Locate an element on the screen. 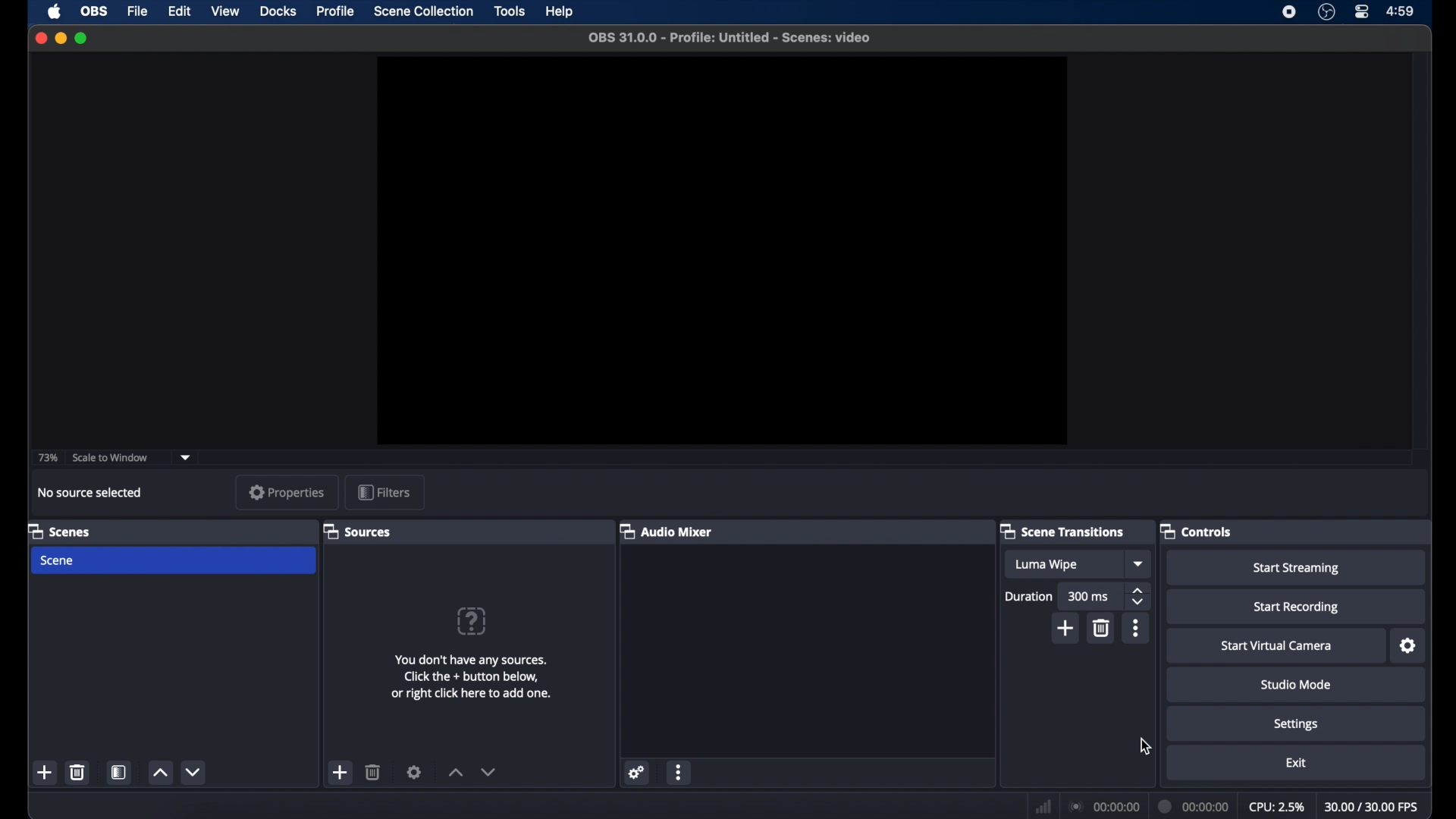 This screenshot has width=1456, height=819. audio mixer is located at coordinates (667, 531).